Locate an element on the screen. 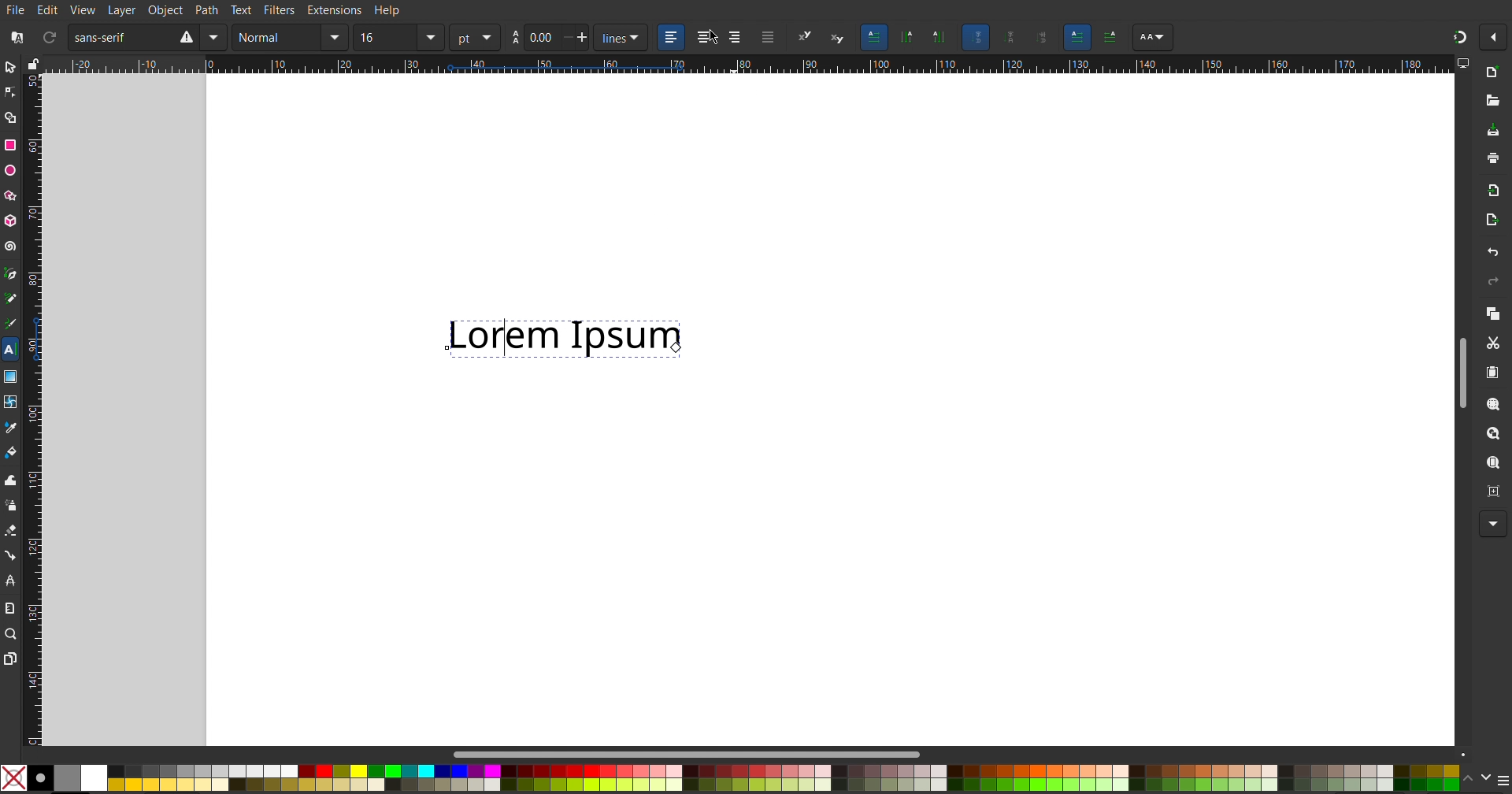  Zoom Centre Page is located at coordinates (1492, 492).